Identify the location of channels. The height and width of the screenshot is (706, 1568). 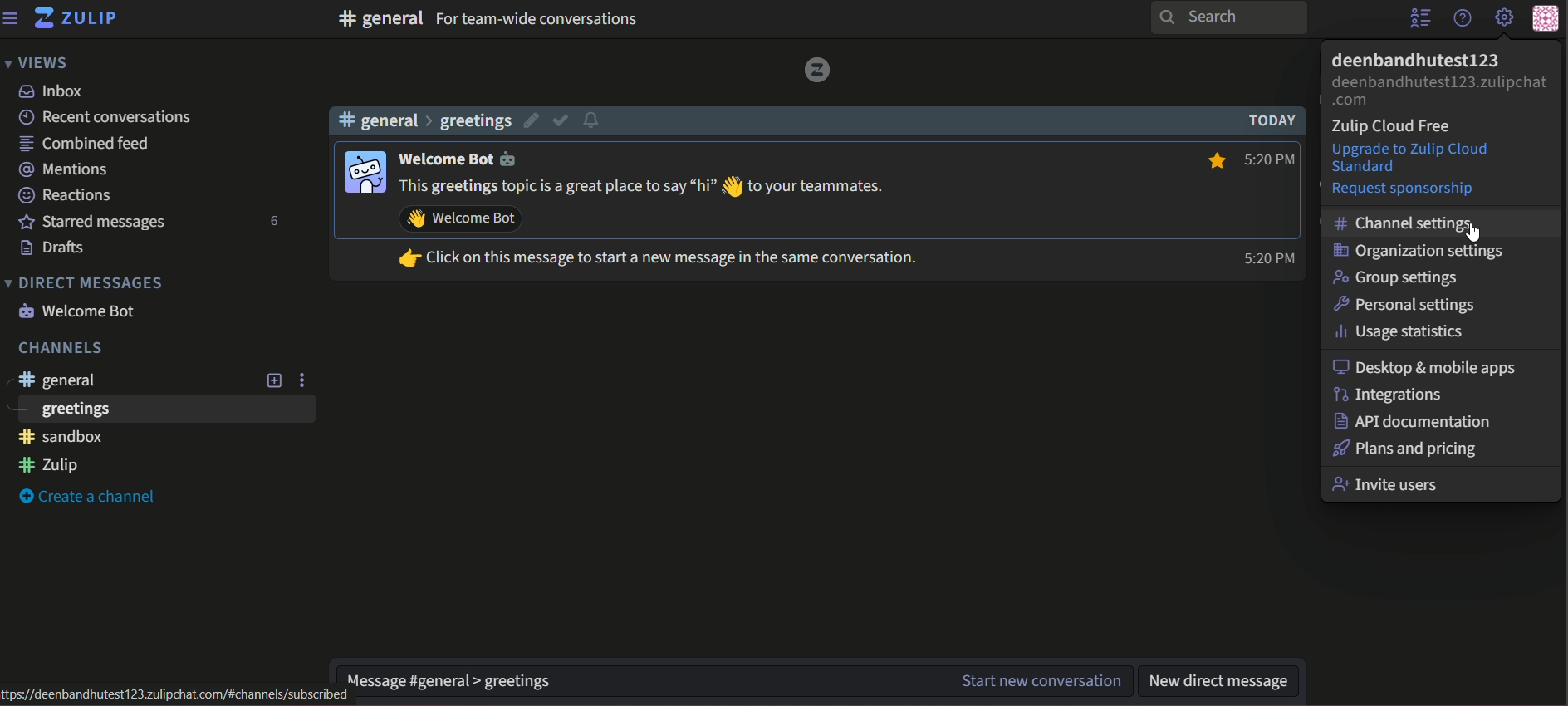
(58, 349).